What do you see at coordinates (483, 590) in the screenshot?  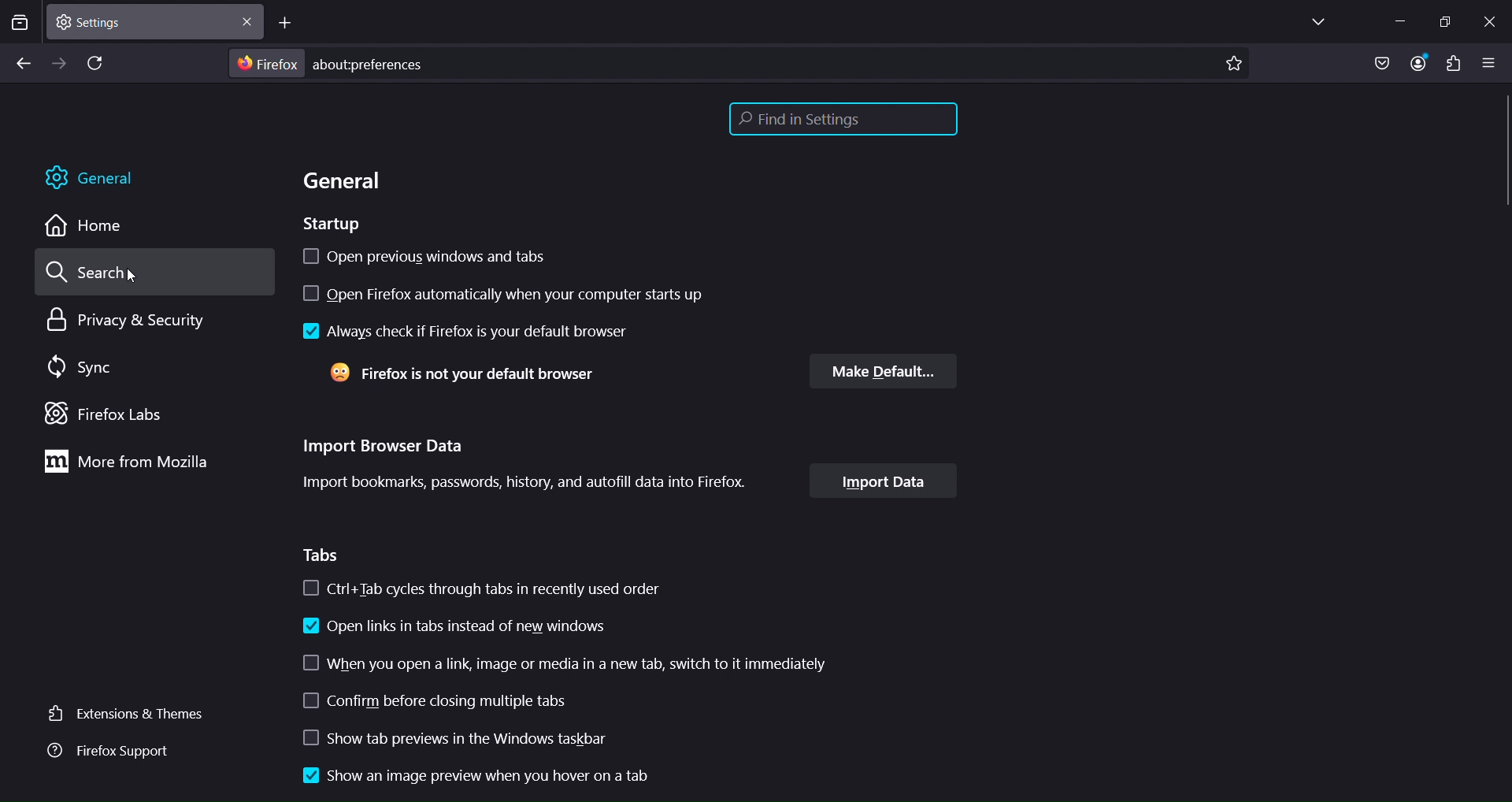 I see `ctrl + tab cycles through tabs in recently used order` at bounding box center [483, 590].